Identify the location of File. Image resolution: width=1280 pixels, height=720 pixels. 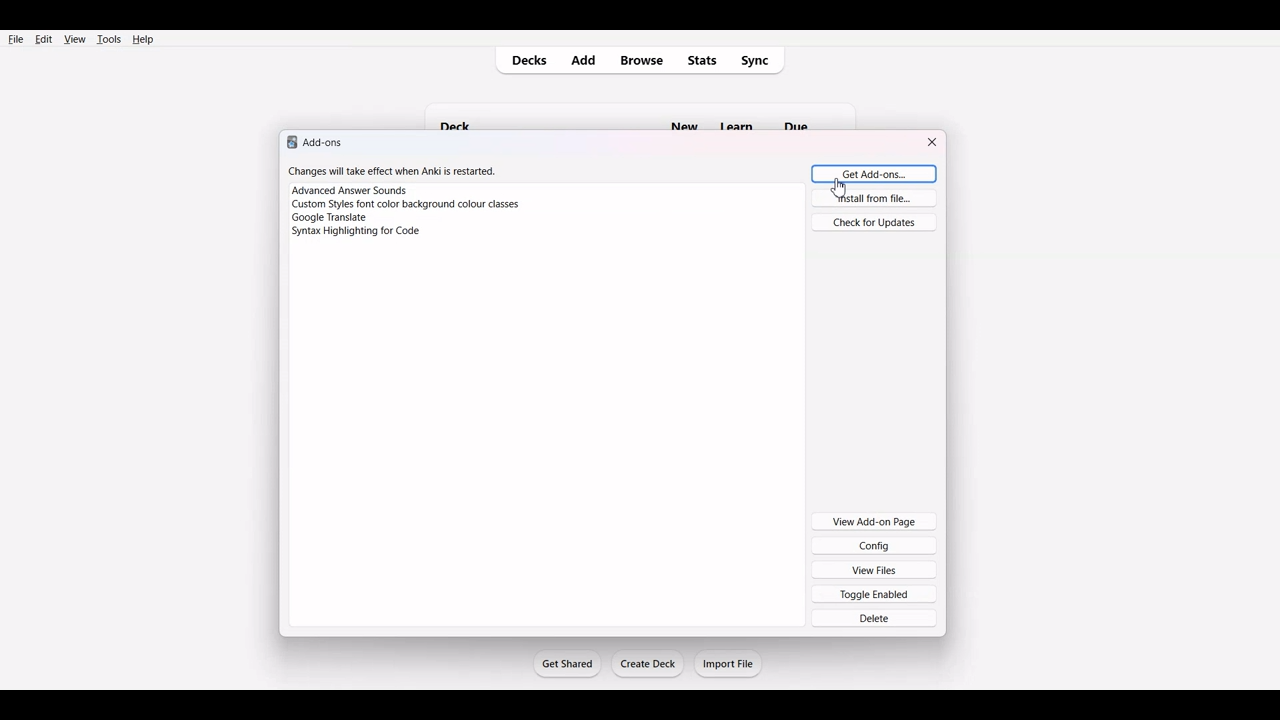
(16, 38).